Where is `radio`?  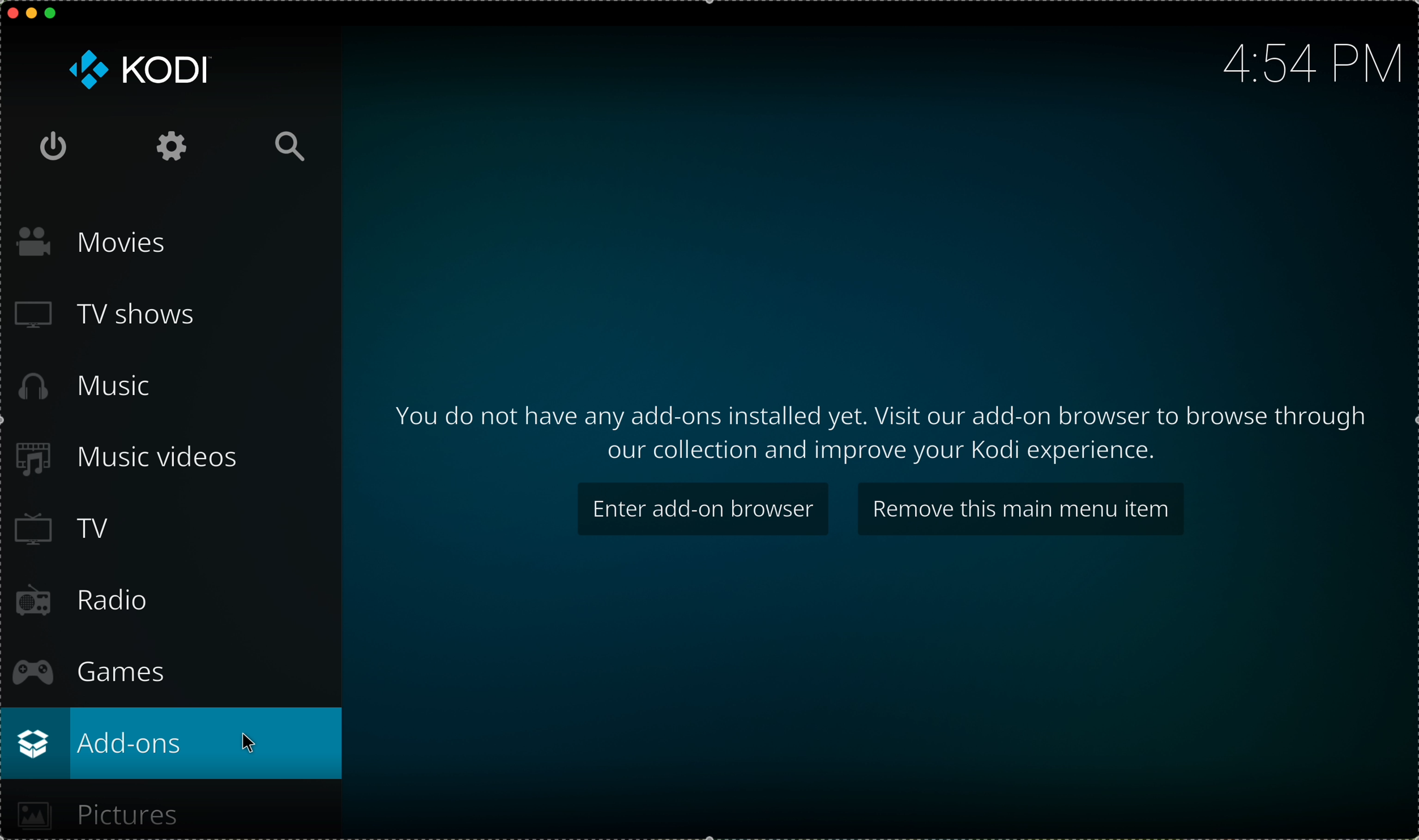 radio is located at coordinates (82, 605).